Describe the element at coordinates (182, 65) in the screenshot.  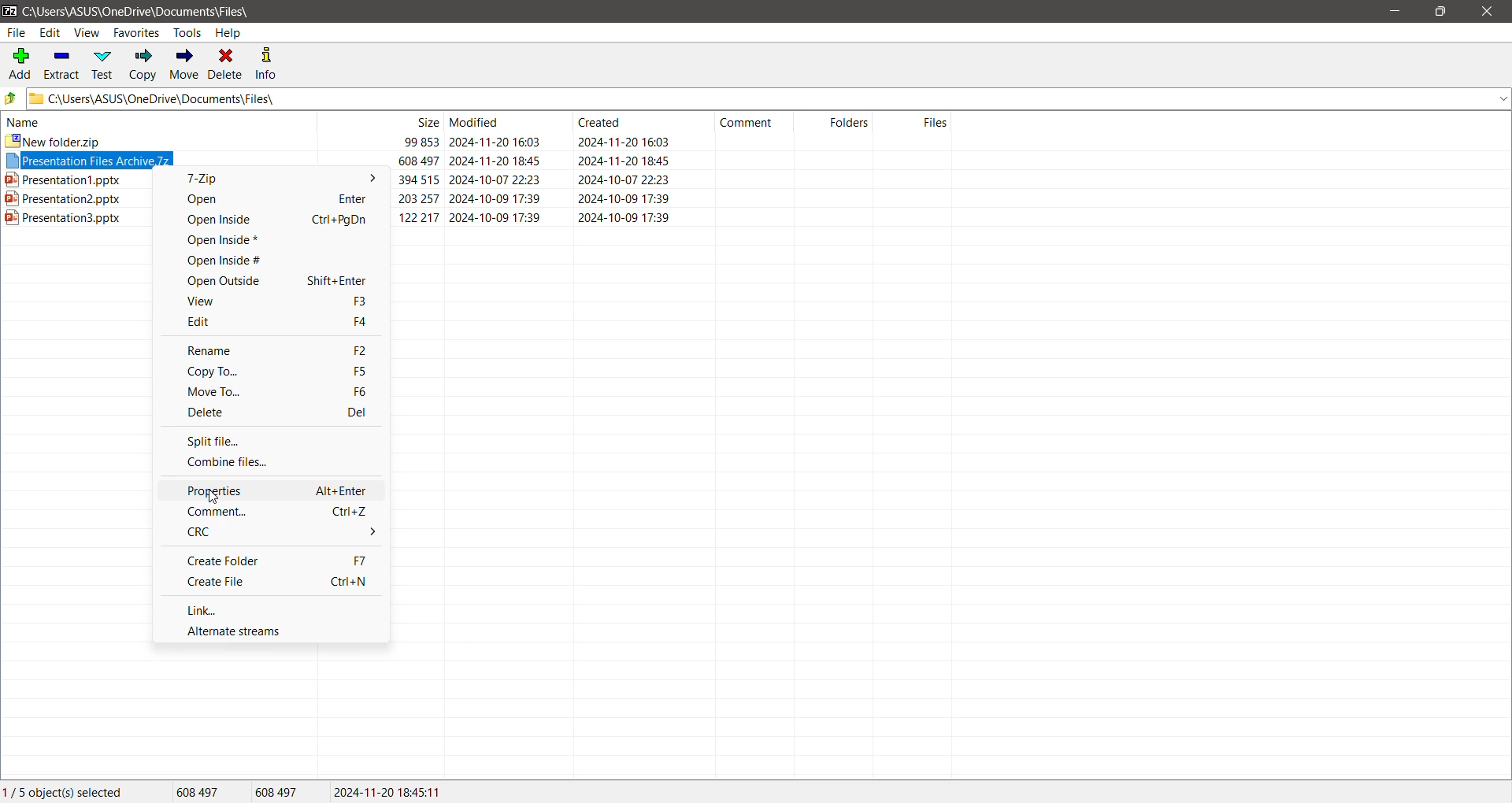
I see `Move` at that location.